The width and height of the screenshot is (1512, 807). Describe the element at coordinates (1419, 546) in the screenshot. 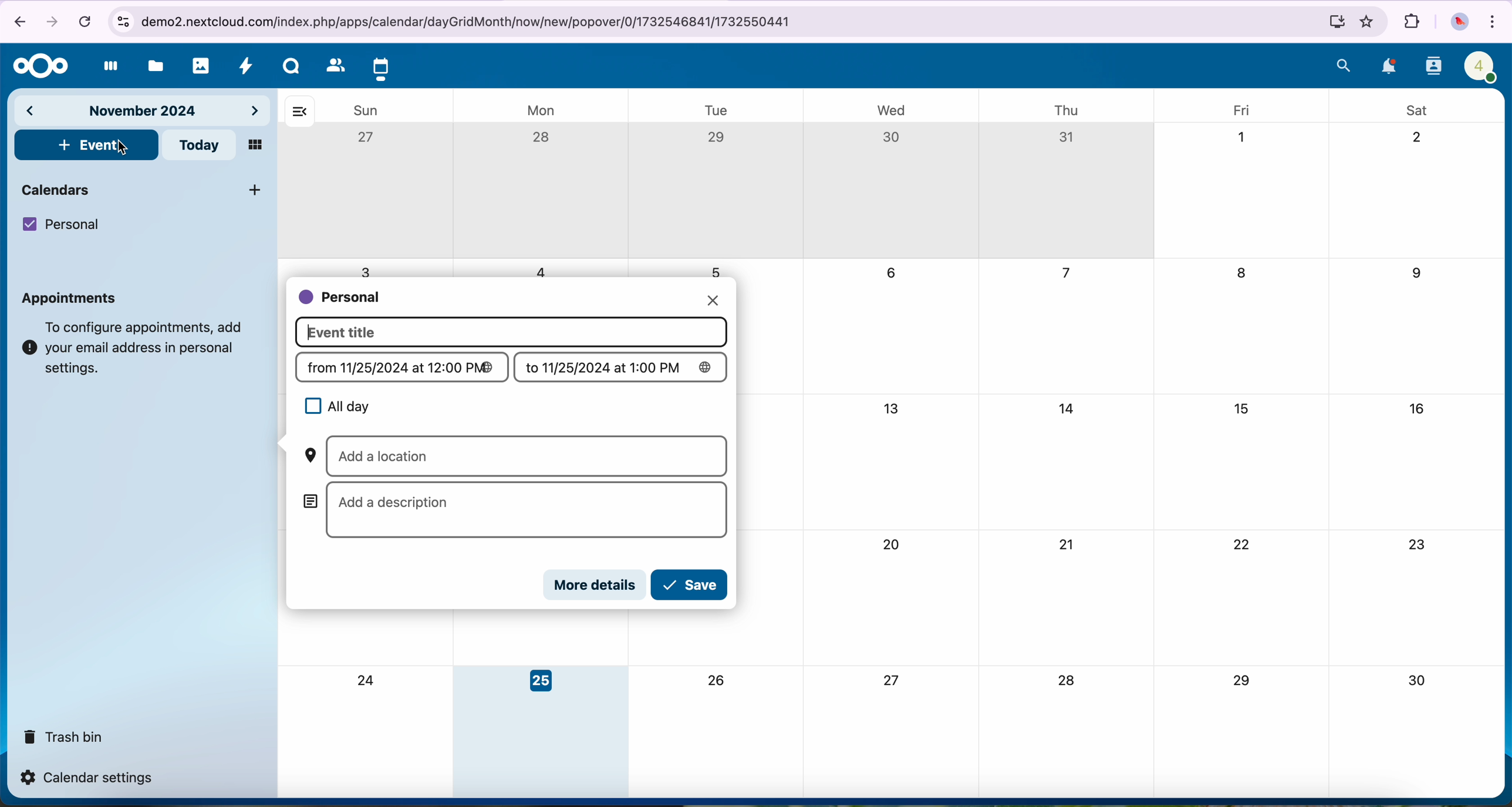

I see `23` at that location.